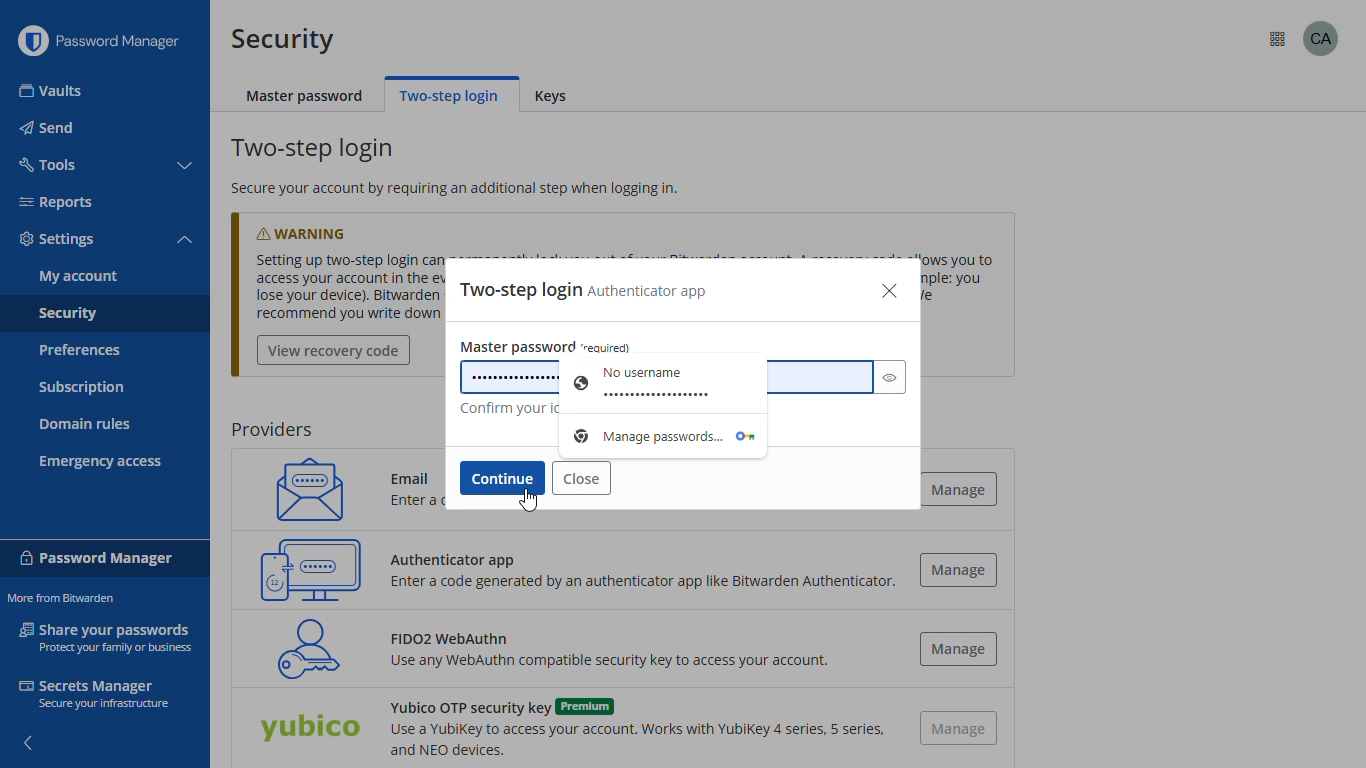 The width and height of the screenshot is (1366, 768). What do you see at coordinates (338, 287) in the screenshot?
I see `Setting up two-step login can permanently lock you out of your Bitwarden account. A recovery code allows you to access your account in the event that you can no longer se your normal two-step login provider (example: youlose your device). Bitwarden support will not be able to assist you if you lose access to your account. Werecommend you write down or print the recovery code and keep it in a safe place.` at bounding box center [338, 287].